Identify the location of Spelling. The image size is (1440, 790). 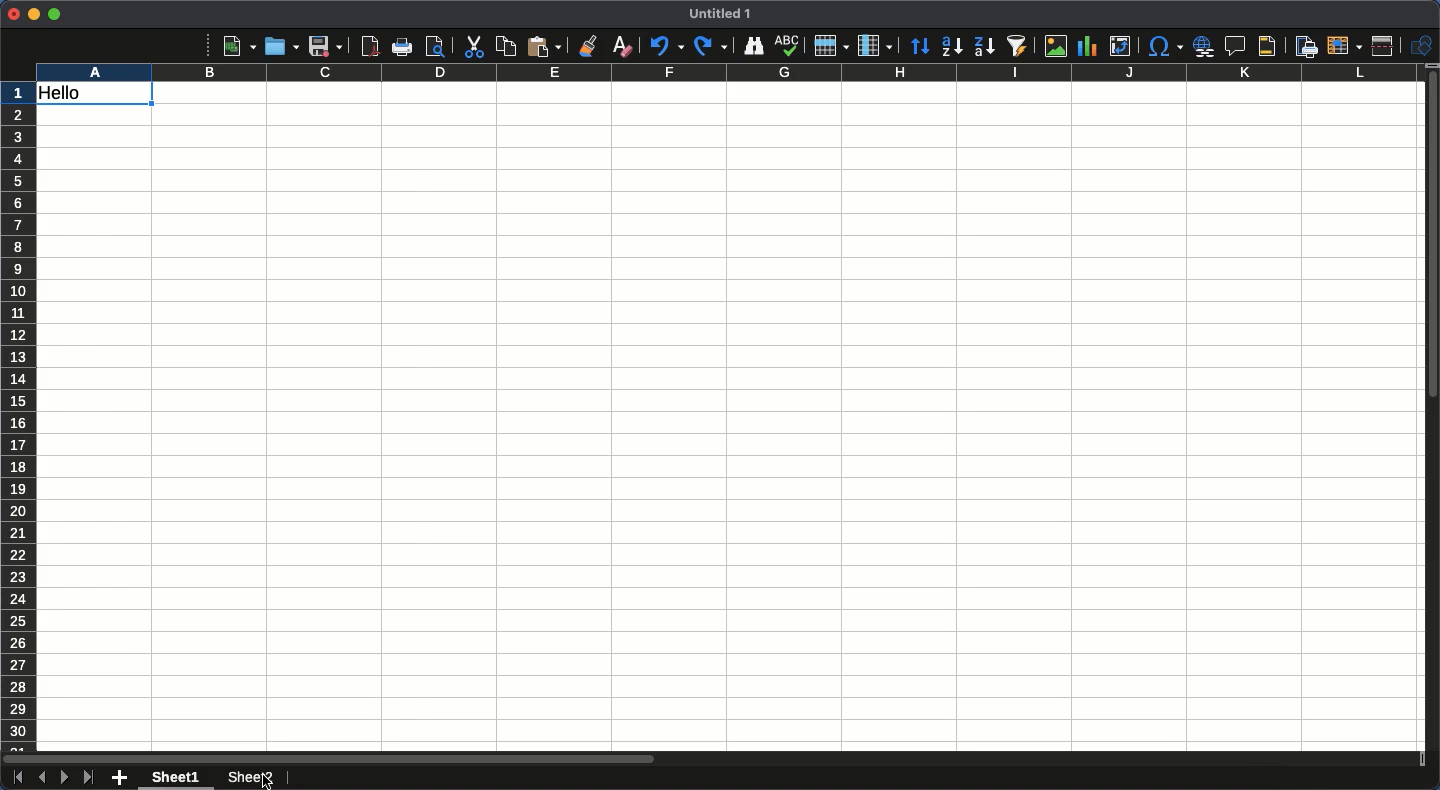
(787, 46).